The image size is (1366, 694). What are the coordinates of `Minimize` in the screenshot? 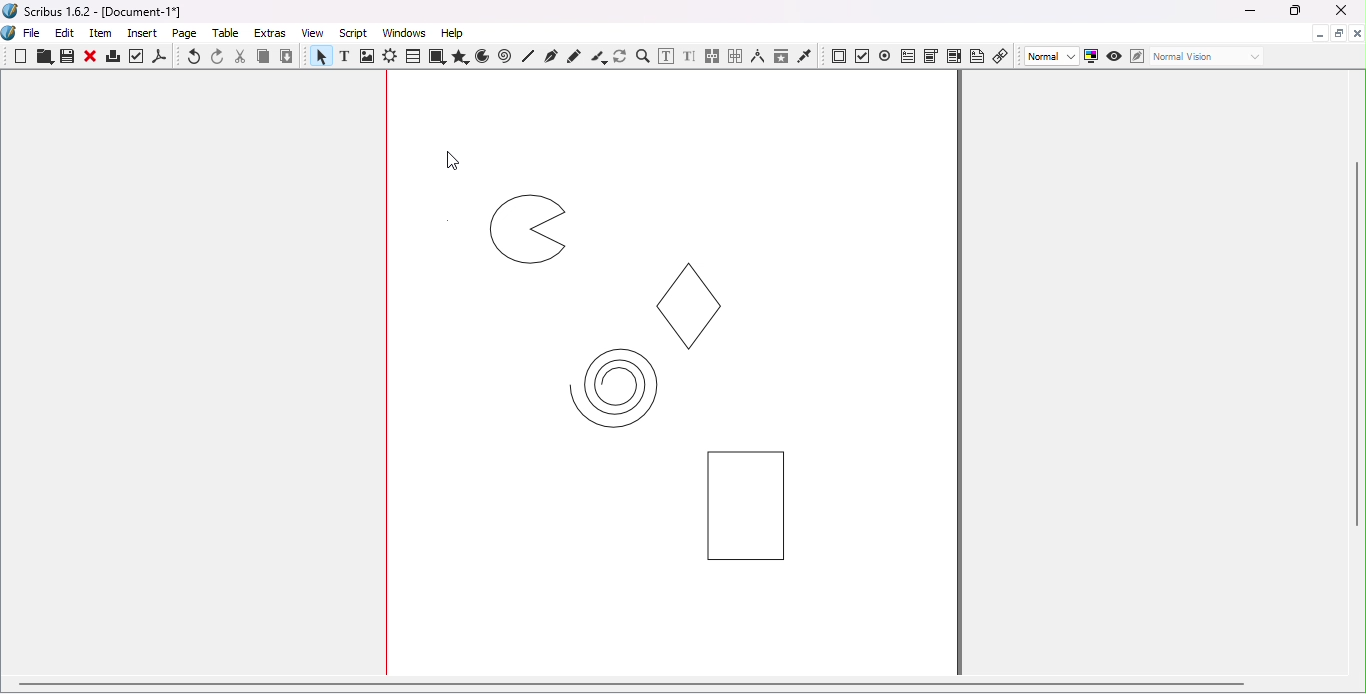 It's located at (1318, 32).